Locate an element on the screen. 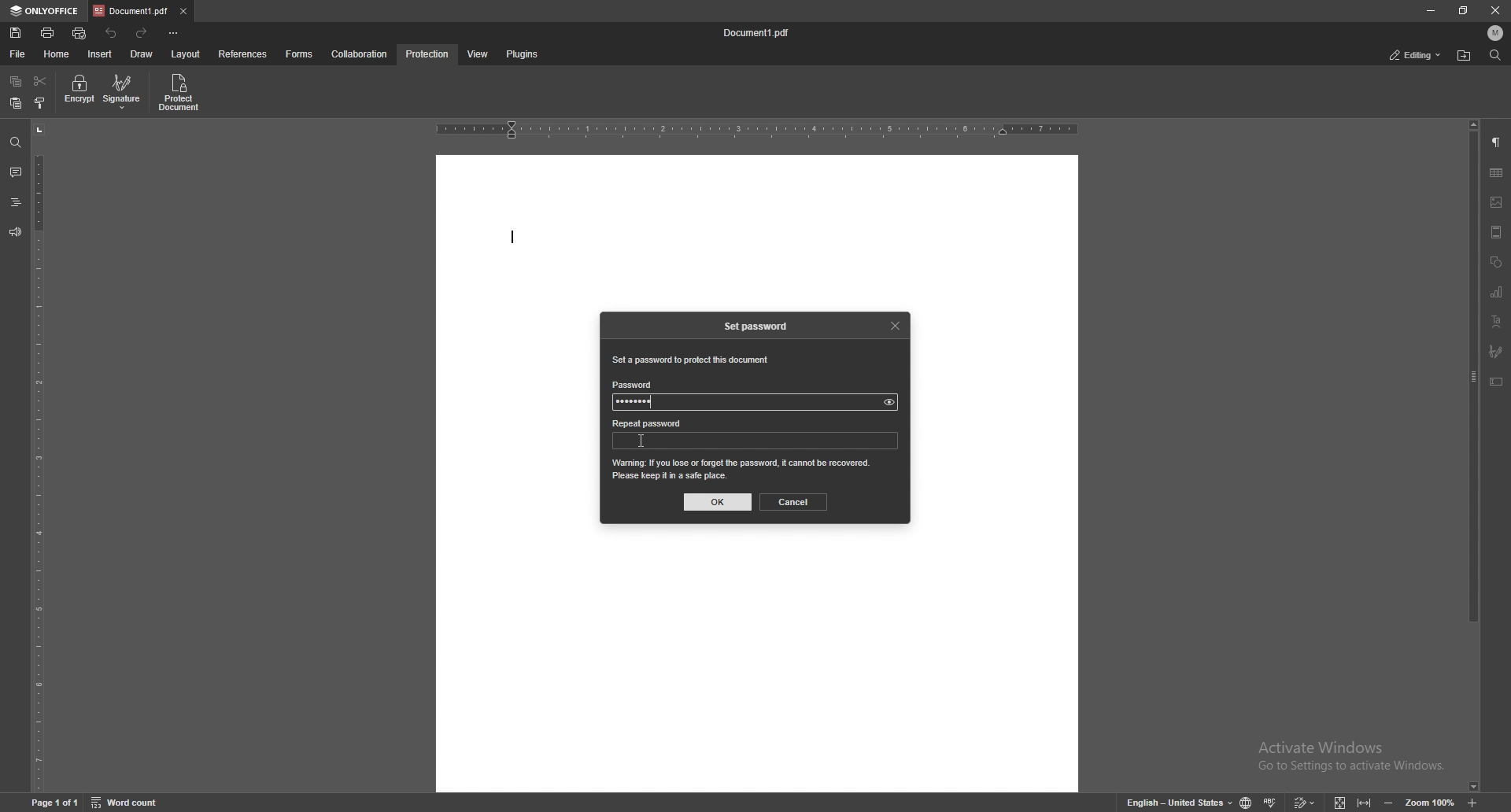  resize is located at coordinates (1465, 11).